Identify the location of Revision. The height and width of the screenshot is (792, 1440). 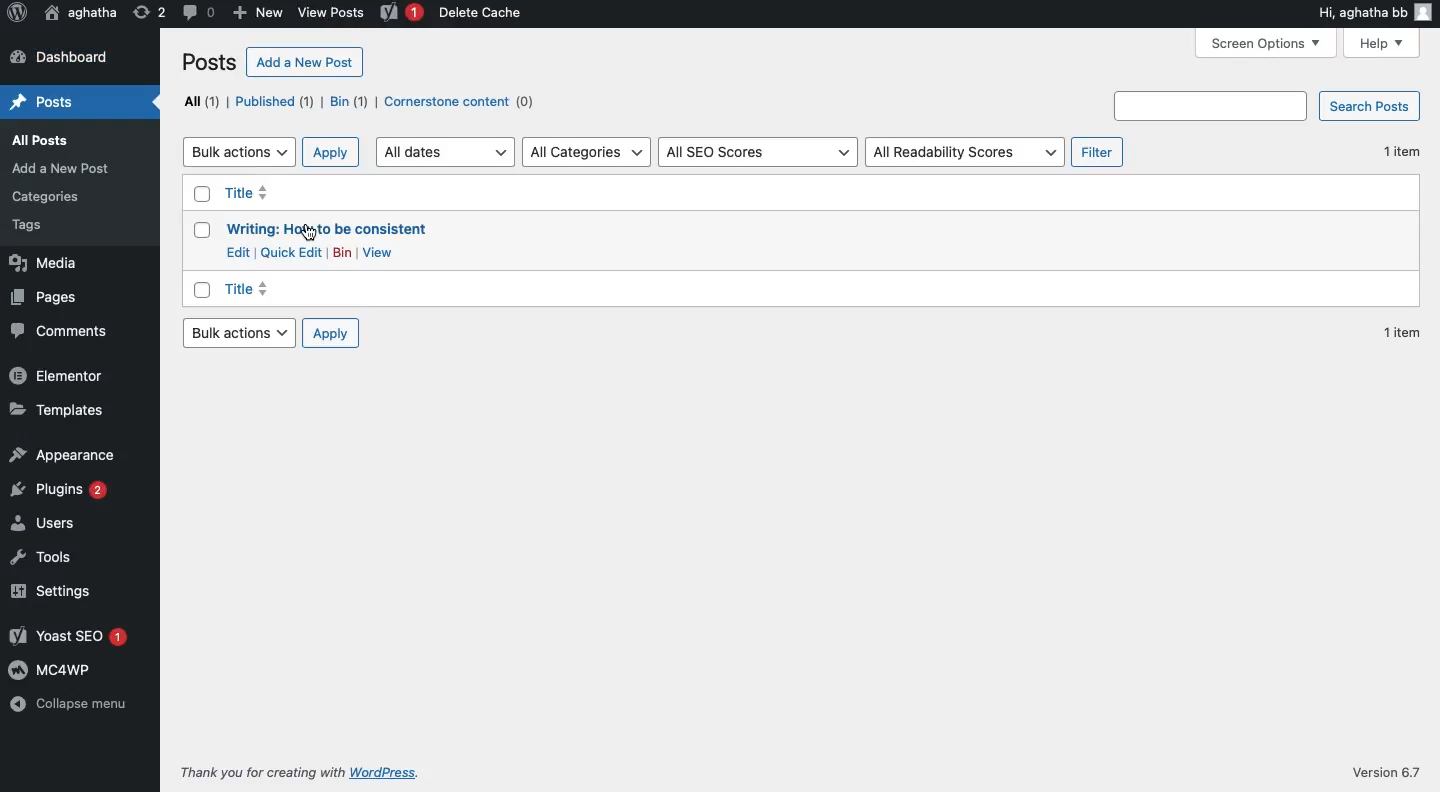
(150, 12).